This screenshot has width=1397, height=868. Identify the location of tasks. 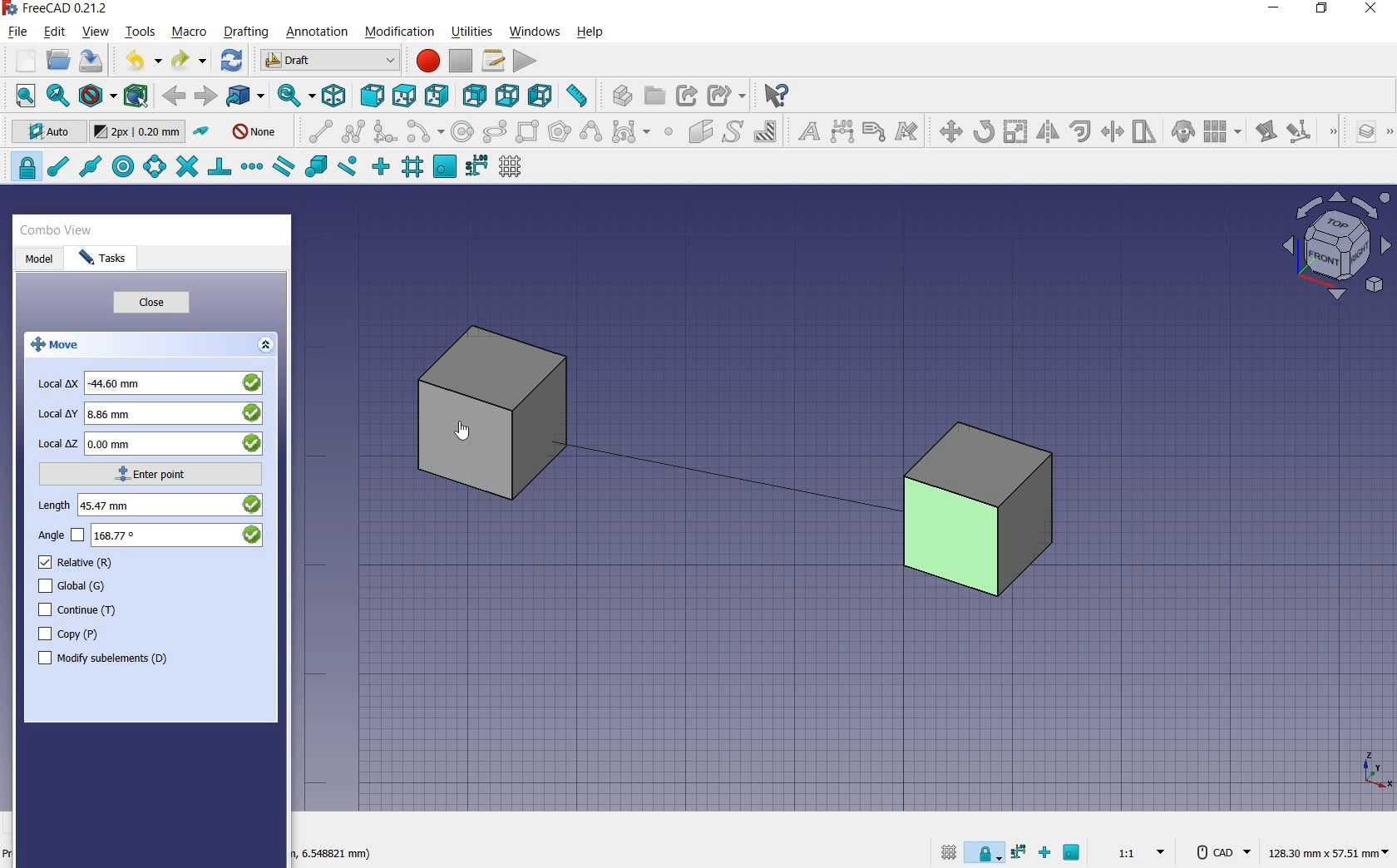
(105, 257).